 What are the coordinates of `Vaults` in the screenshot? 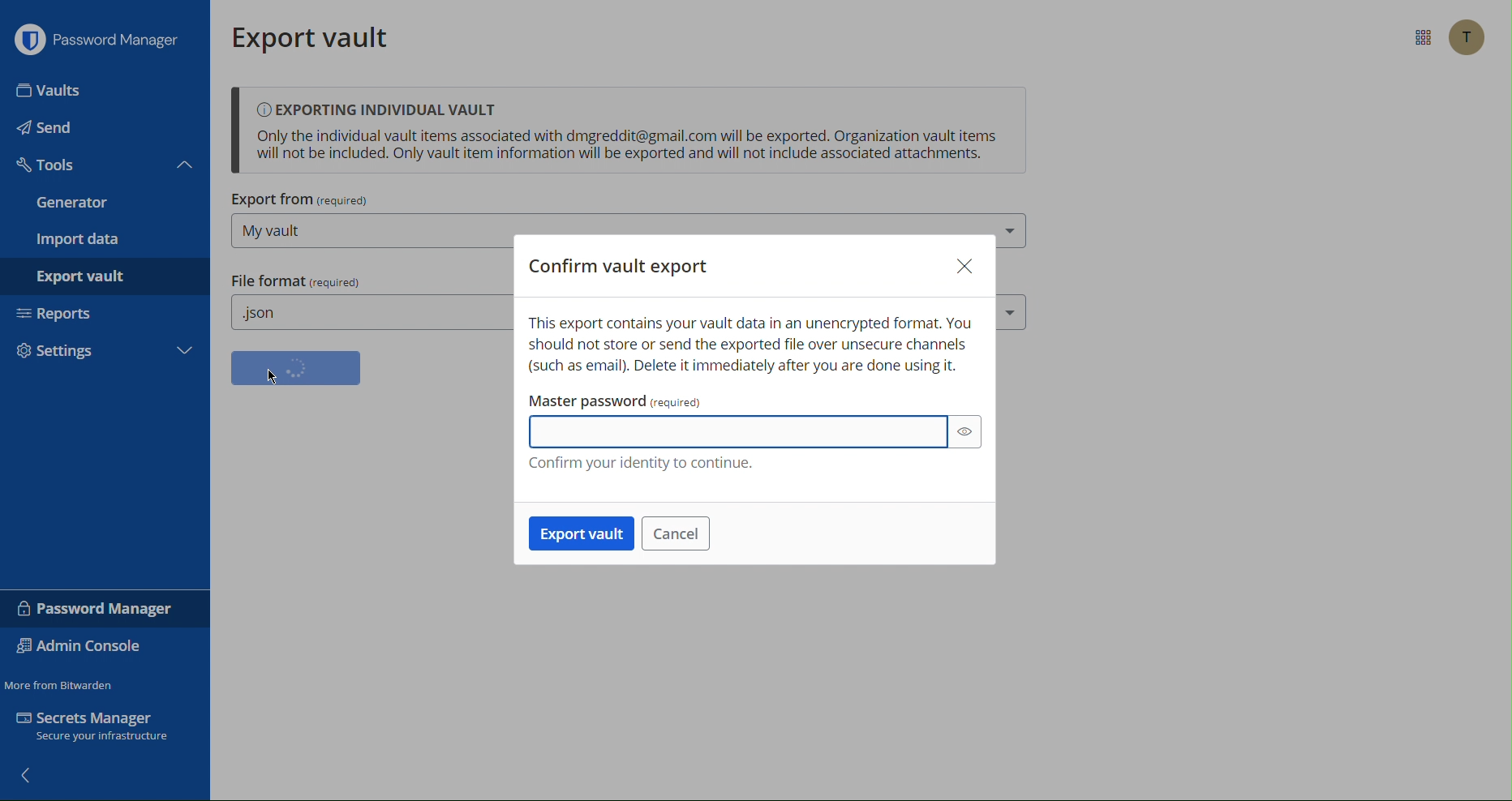 It's located at (51, 92).